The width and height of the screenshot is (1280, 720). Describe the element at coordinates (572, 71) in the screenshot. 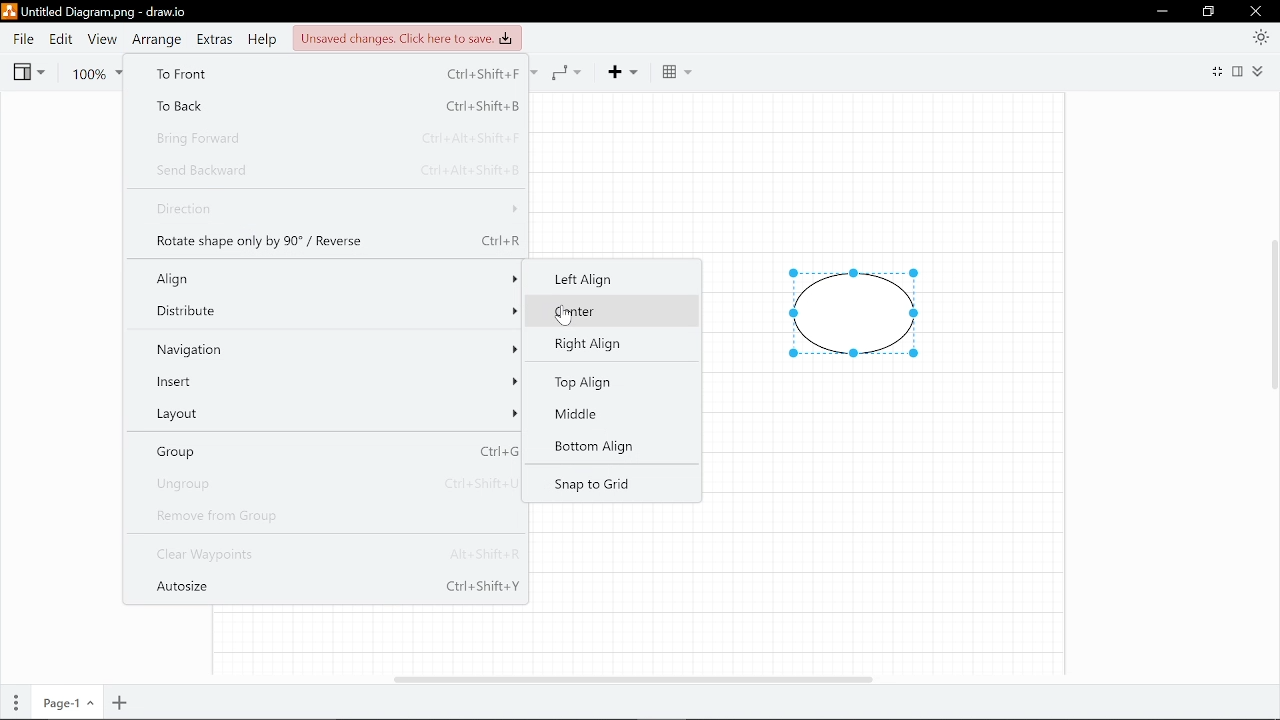

I see `Waypoints` at that location.